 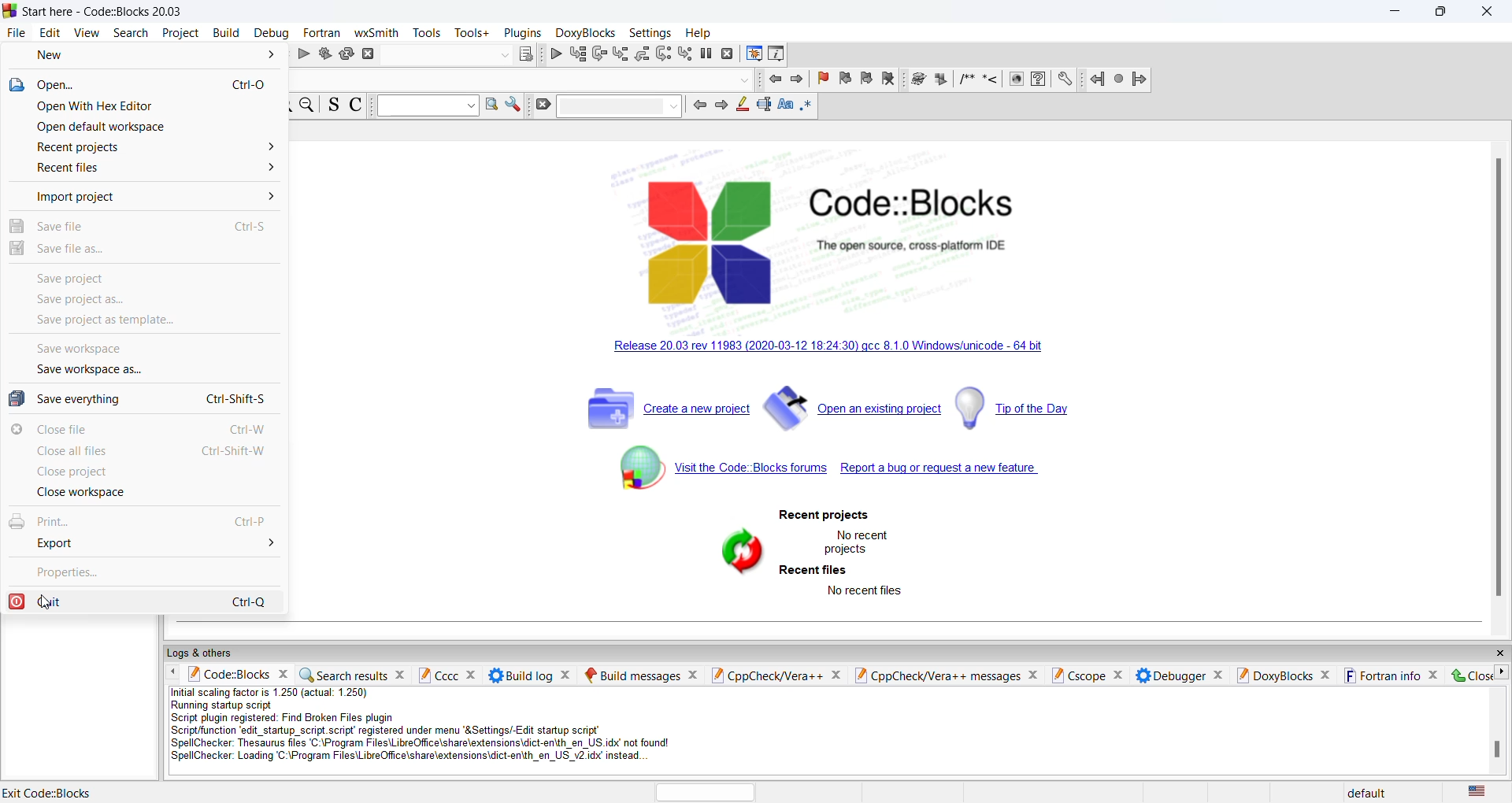 What do you see at coordinates (225, 33) in the screenshot?
I see `build` at bounding box center [225, 33].